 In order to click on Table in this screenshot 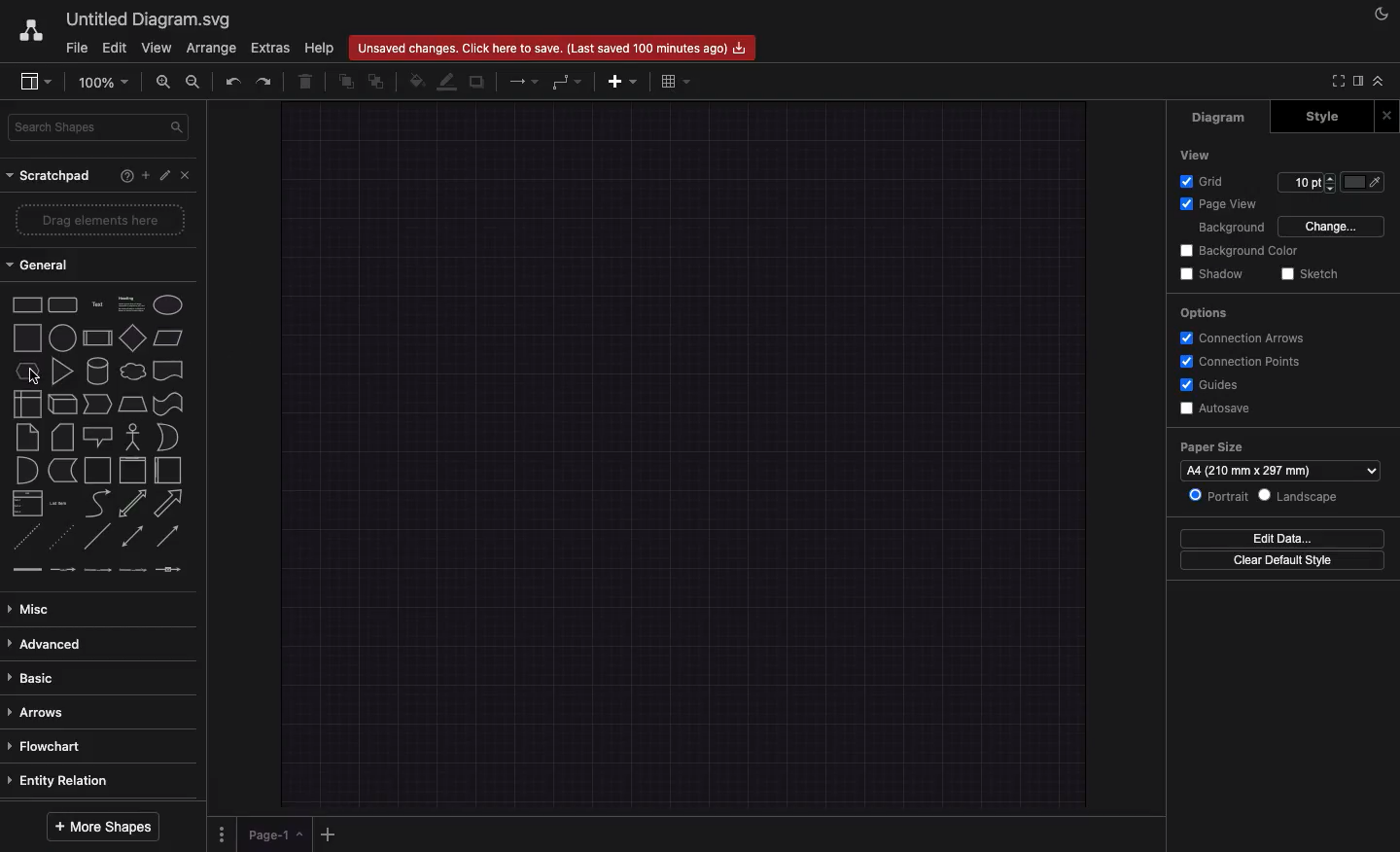, I will do `click(673, 84)`.